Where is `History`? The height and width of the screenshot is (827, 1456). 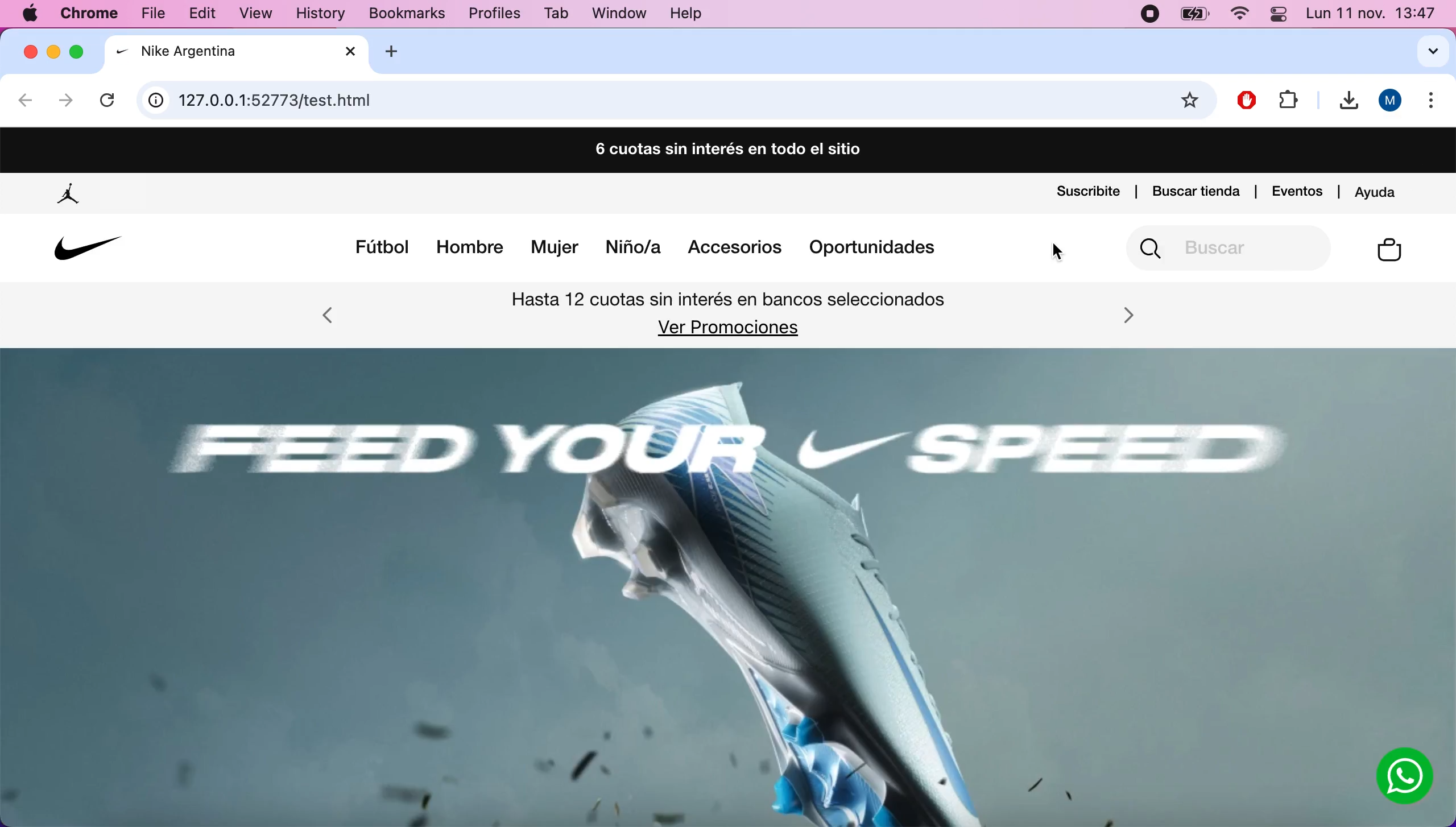
History is located at coordinates (320, 15).